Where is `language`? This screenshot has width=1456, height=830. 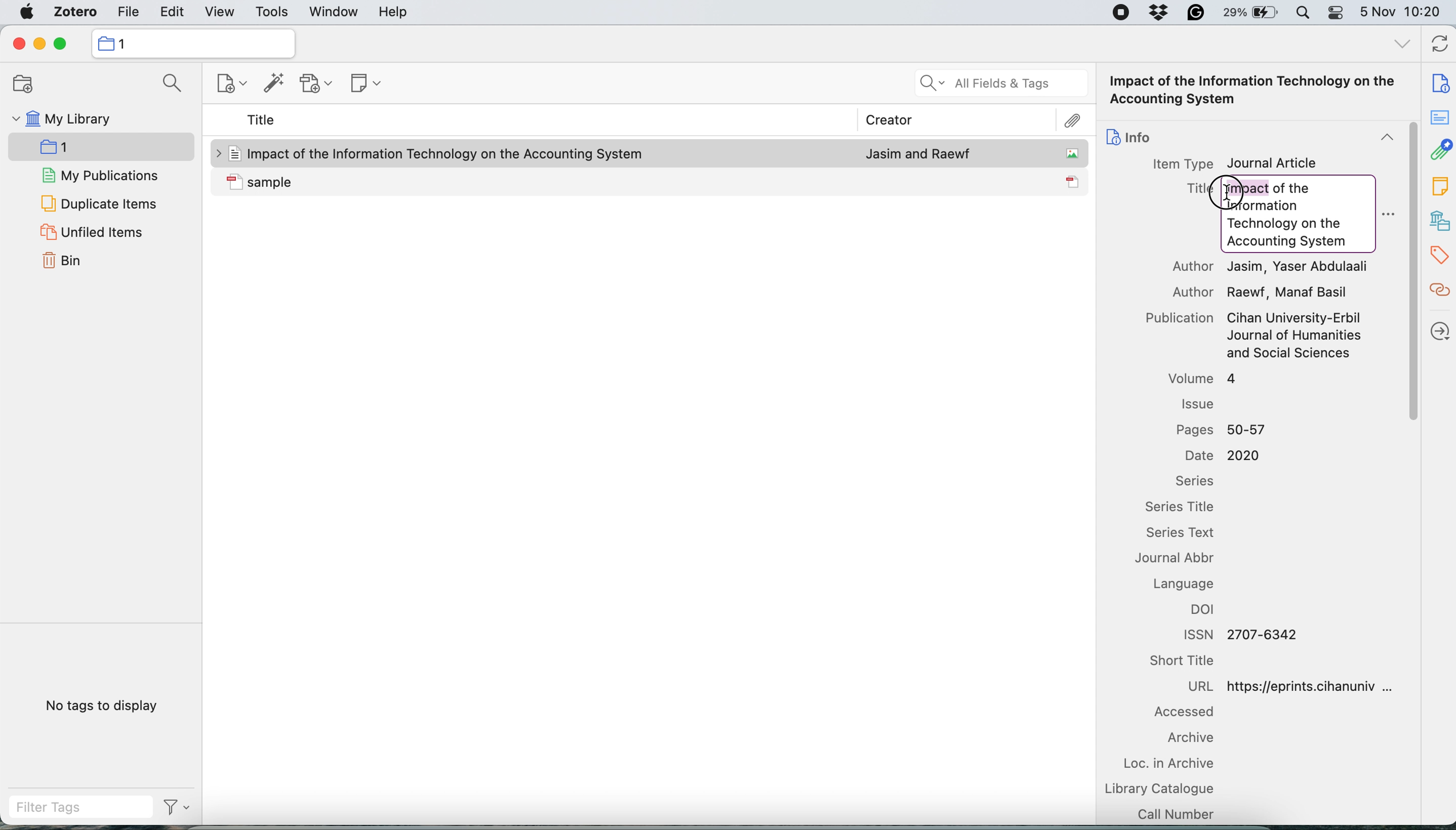 language is located at coordinates (1183, 584).